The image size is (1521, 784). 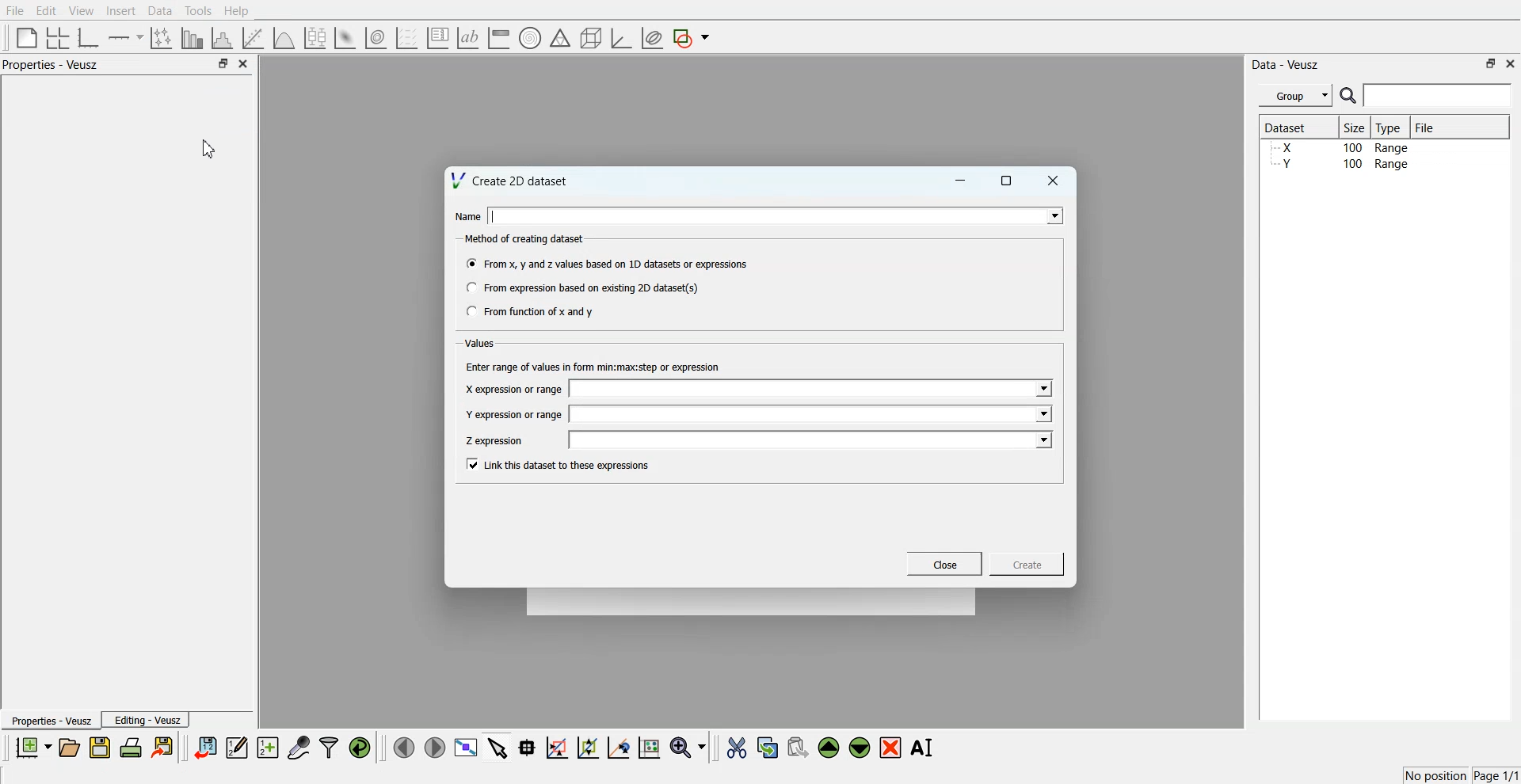 What do you see at coordinates (162, 38) in the screenshot?
I see `Plot points with lines` at bounding box center [162, 38].